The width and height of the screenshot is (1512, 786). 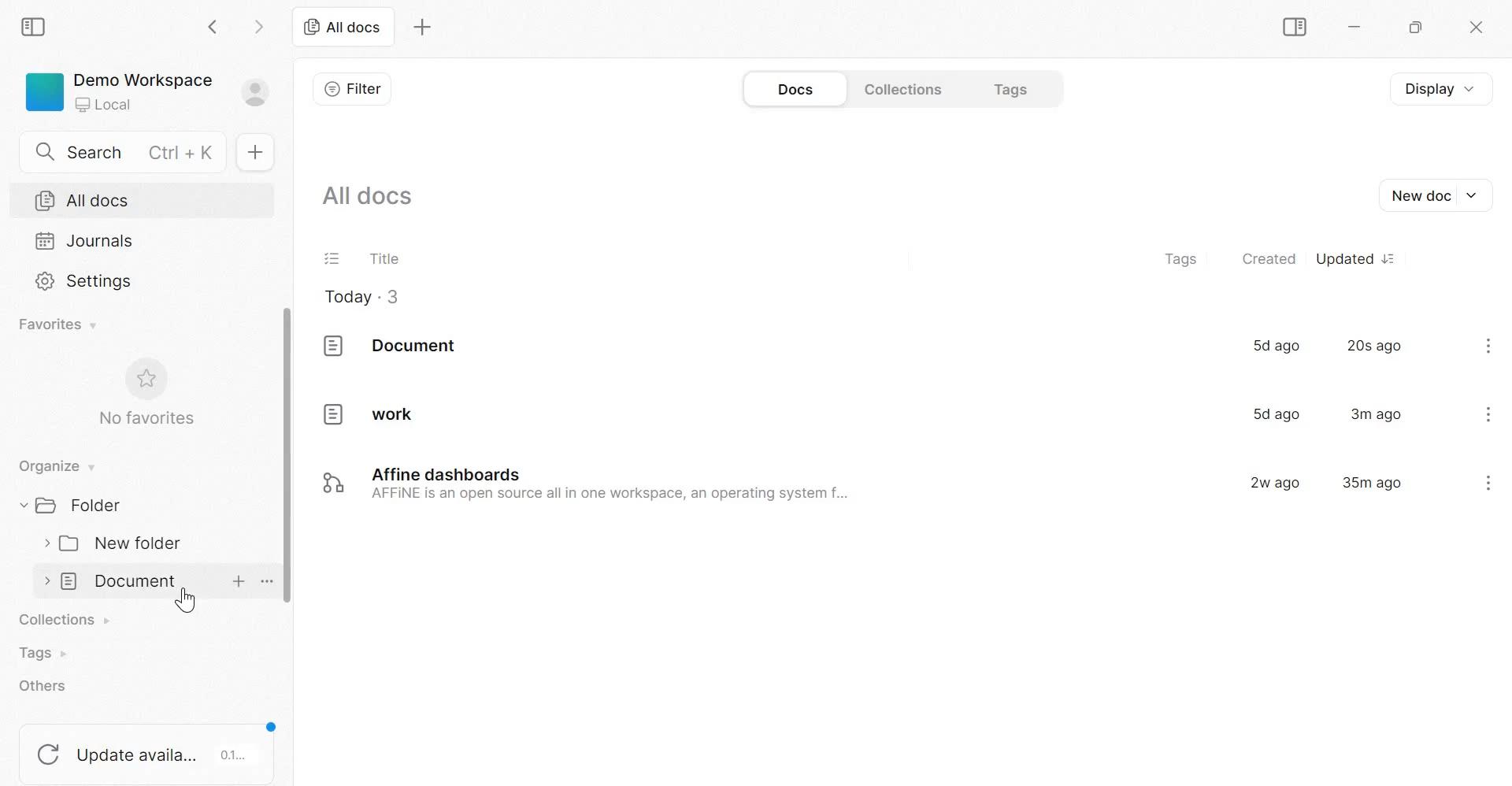 What do you see at coordinates (793, 87) in the screenshot?
I see `Docs` at bounding box center [793, 87].